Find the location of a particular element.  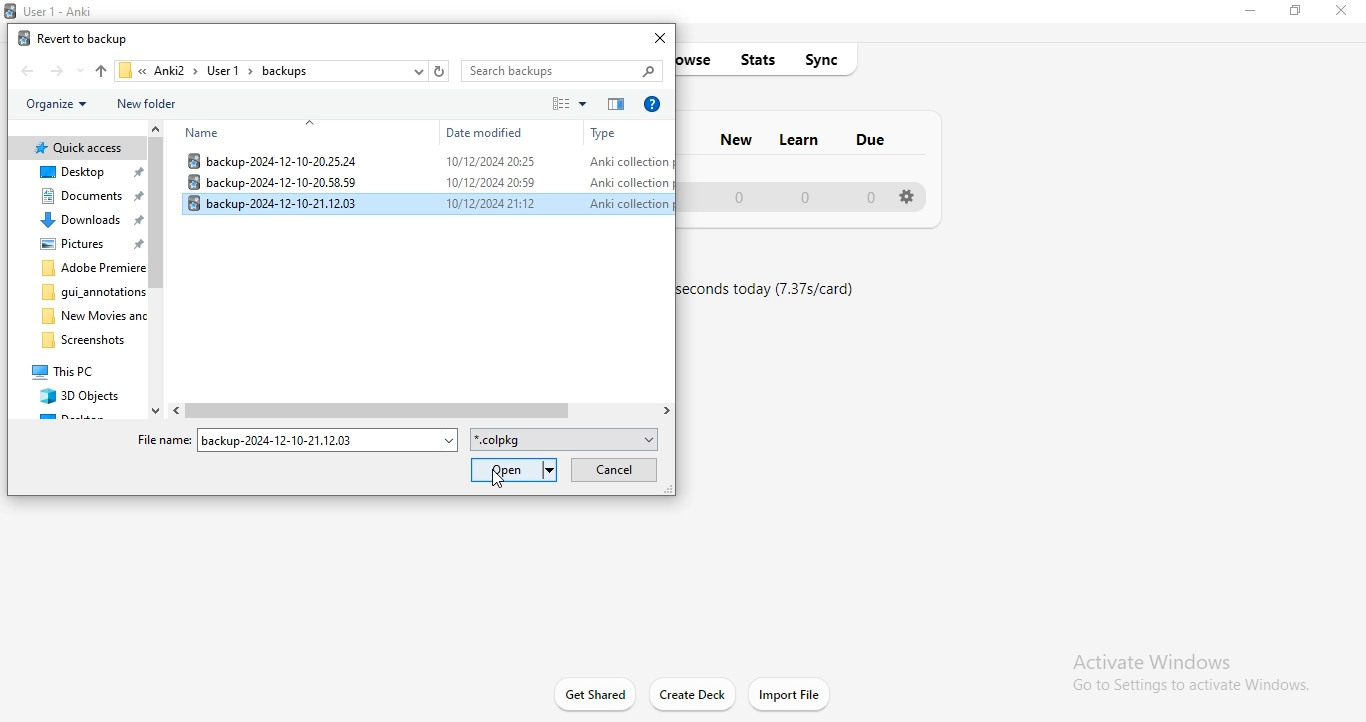

file down is located at coordinates (79, 71).